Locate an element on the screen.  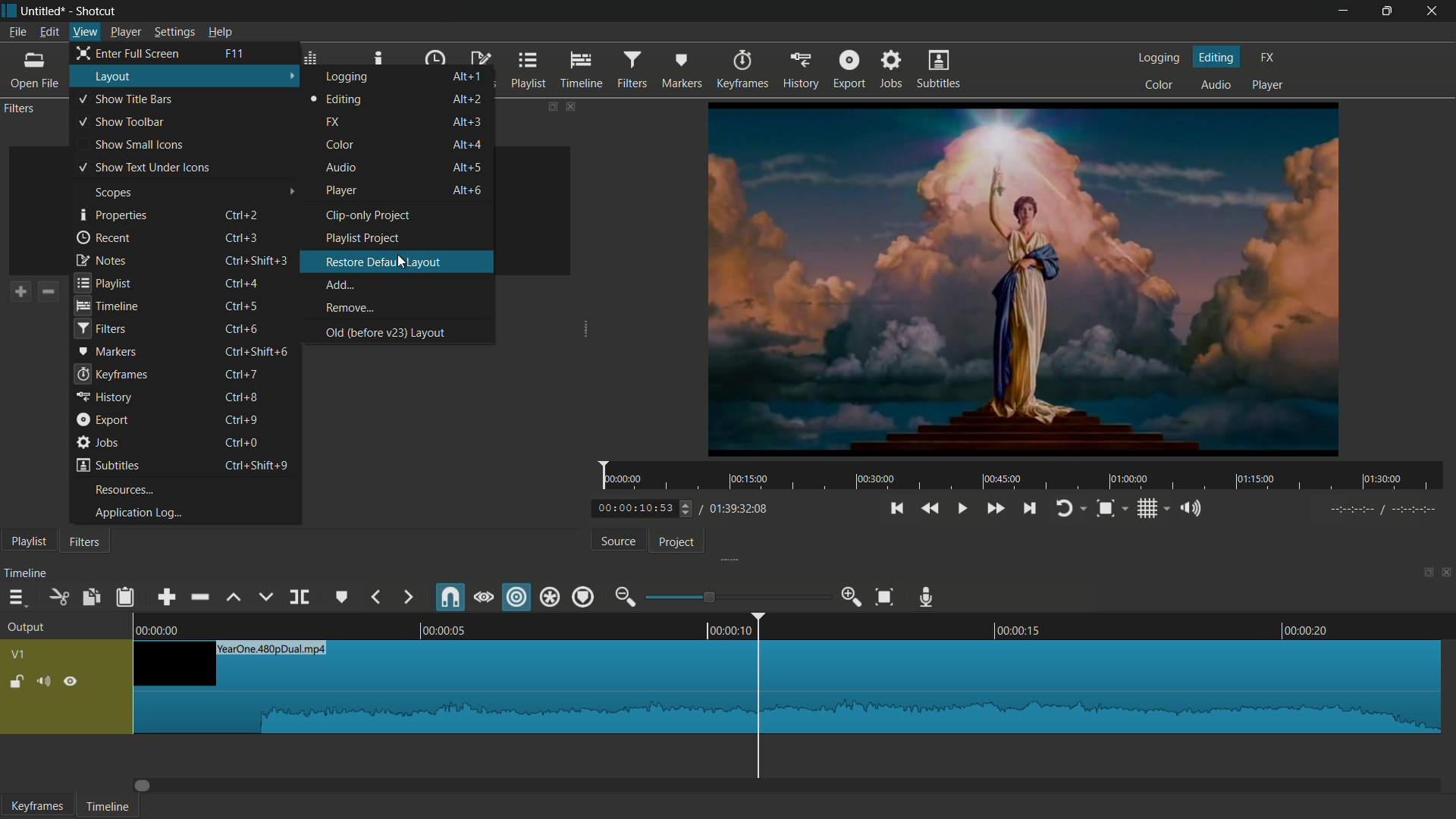
layout is located at coordinates (115, 77).